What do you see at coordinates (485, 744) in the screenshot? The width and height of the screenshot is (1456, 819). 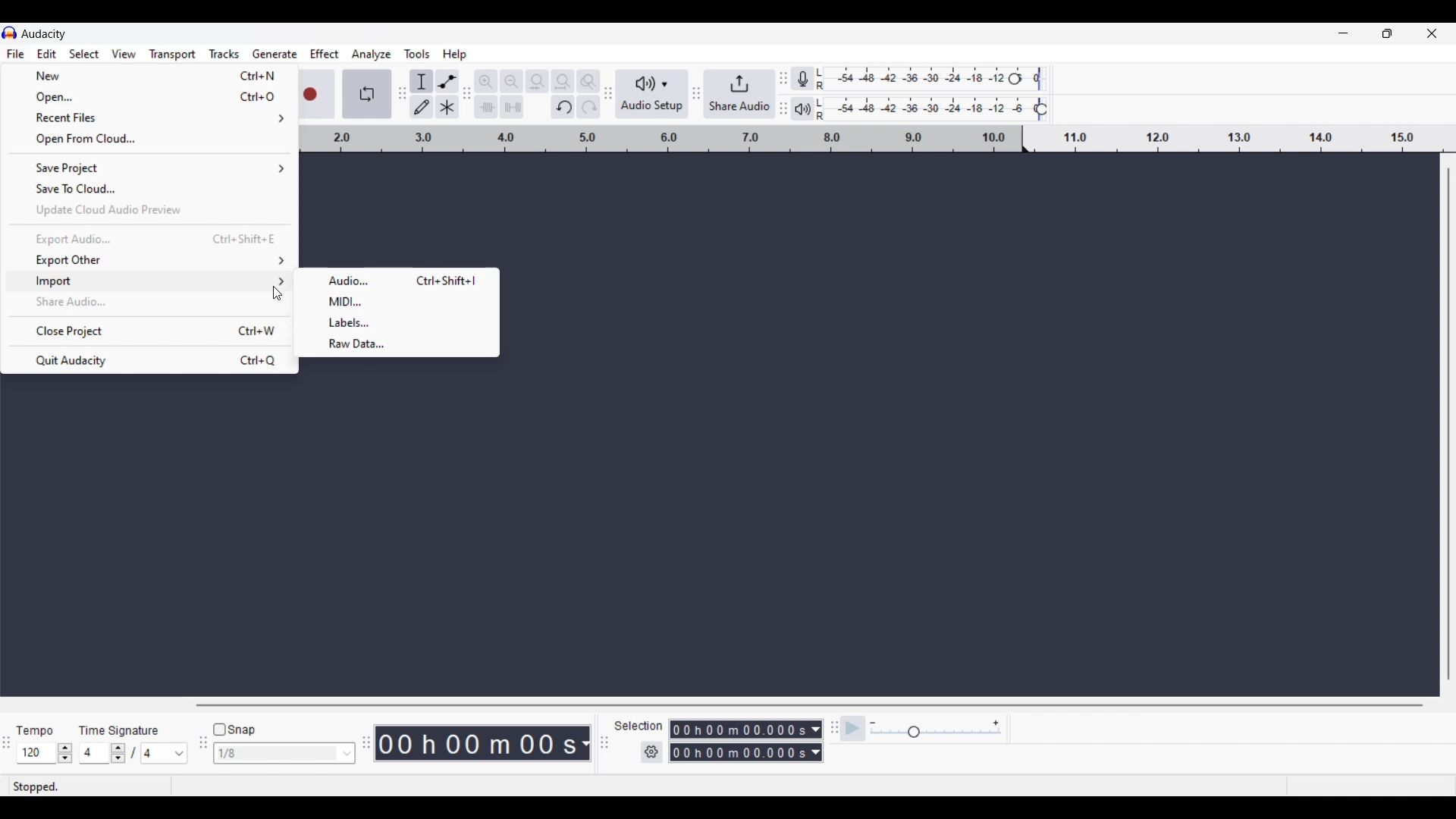 I see `00 h 00 m 00 s` at bounding box center [485, 744].